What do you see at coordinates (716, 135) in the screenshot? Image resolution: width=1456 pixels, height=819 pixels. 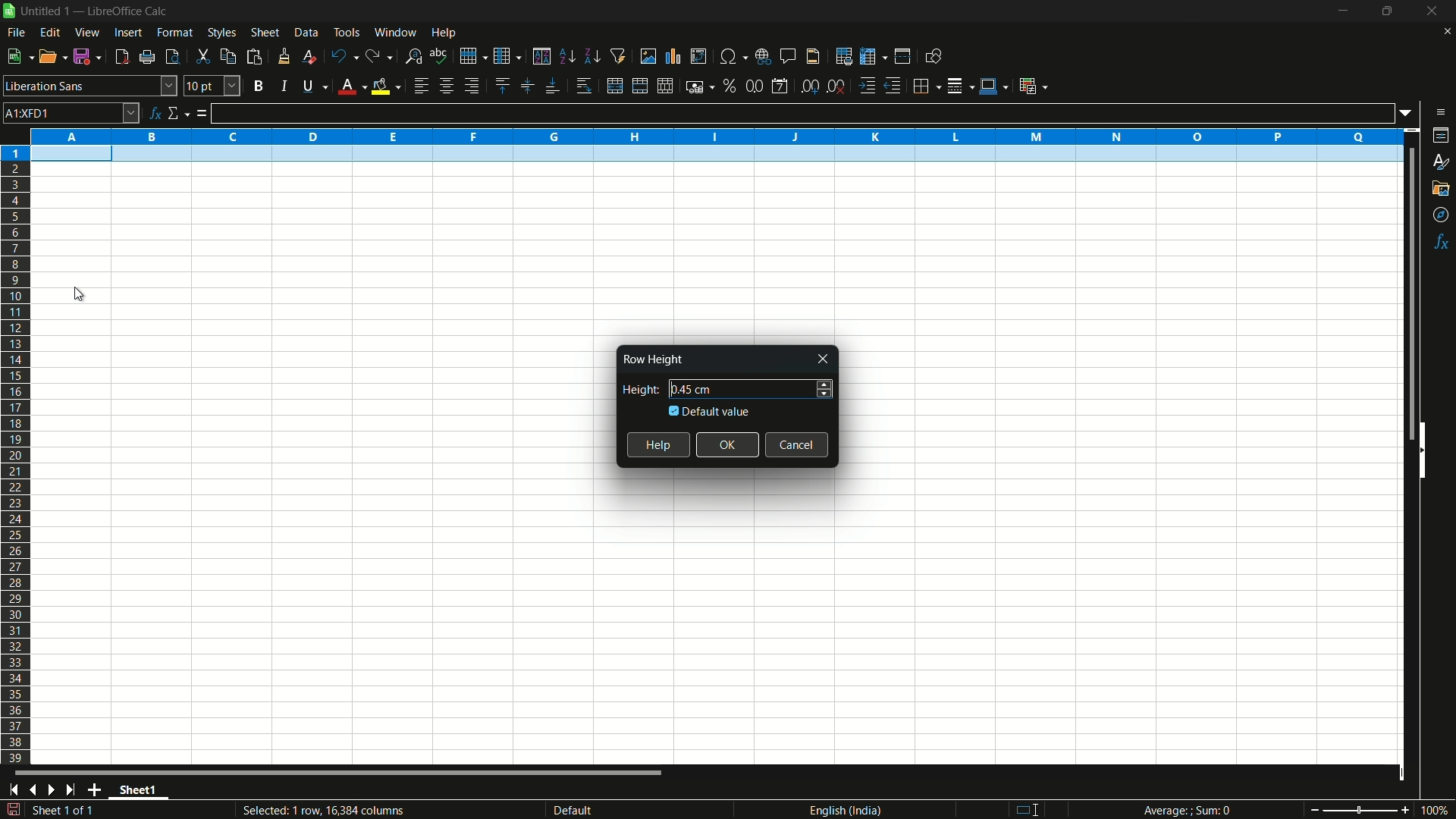 I see `columns` at bounding box center [716, 135].